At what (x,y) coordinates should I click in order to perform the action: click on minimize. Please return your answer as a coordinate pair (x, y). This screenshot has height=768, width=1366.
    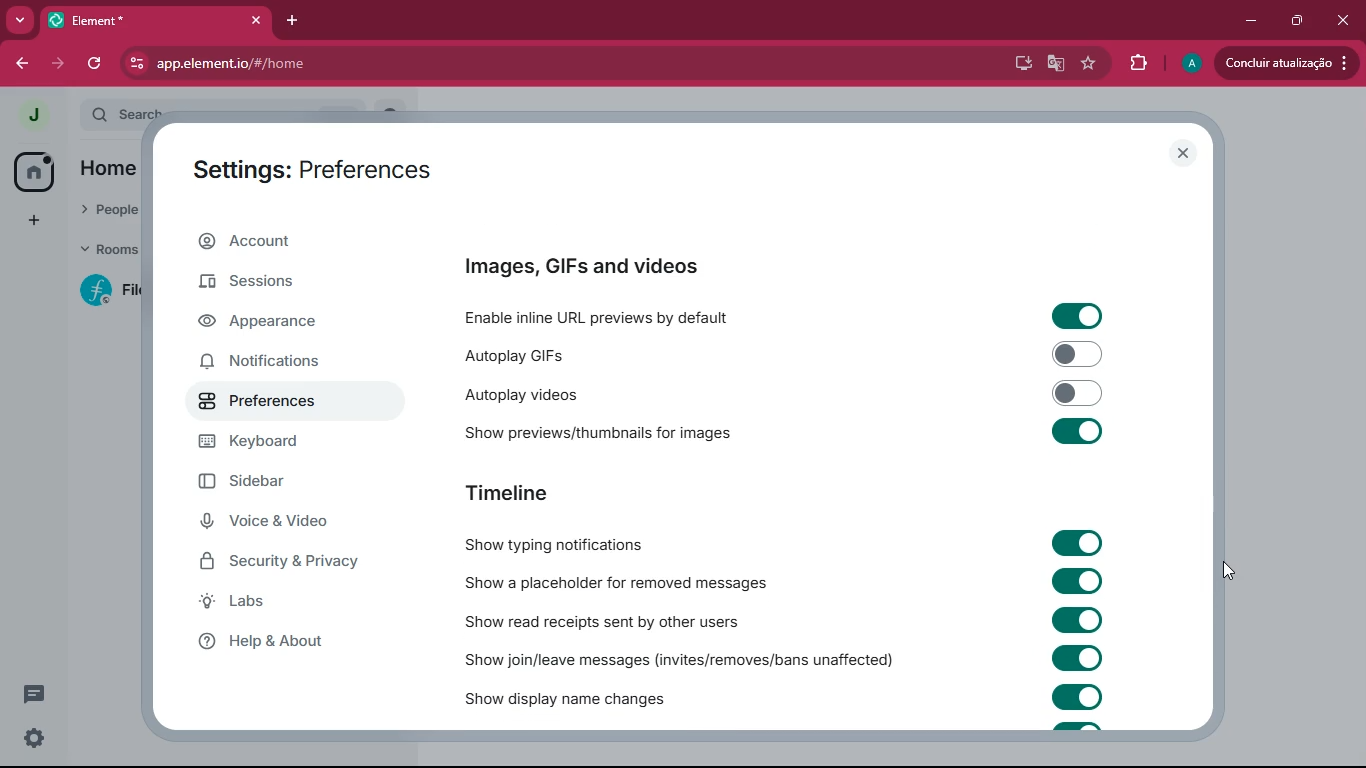
    Looking at the image, I should click on (1249, 20).